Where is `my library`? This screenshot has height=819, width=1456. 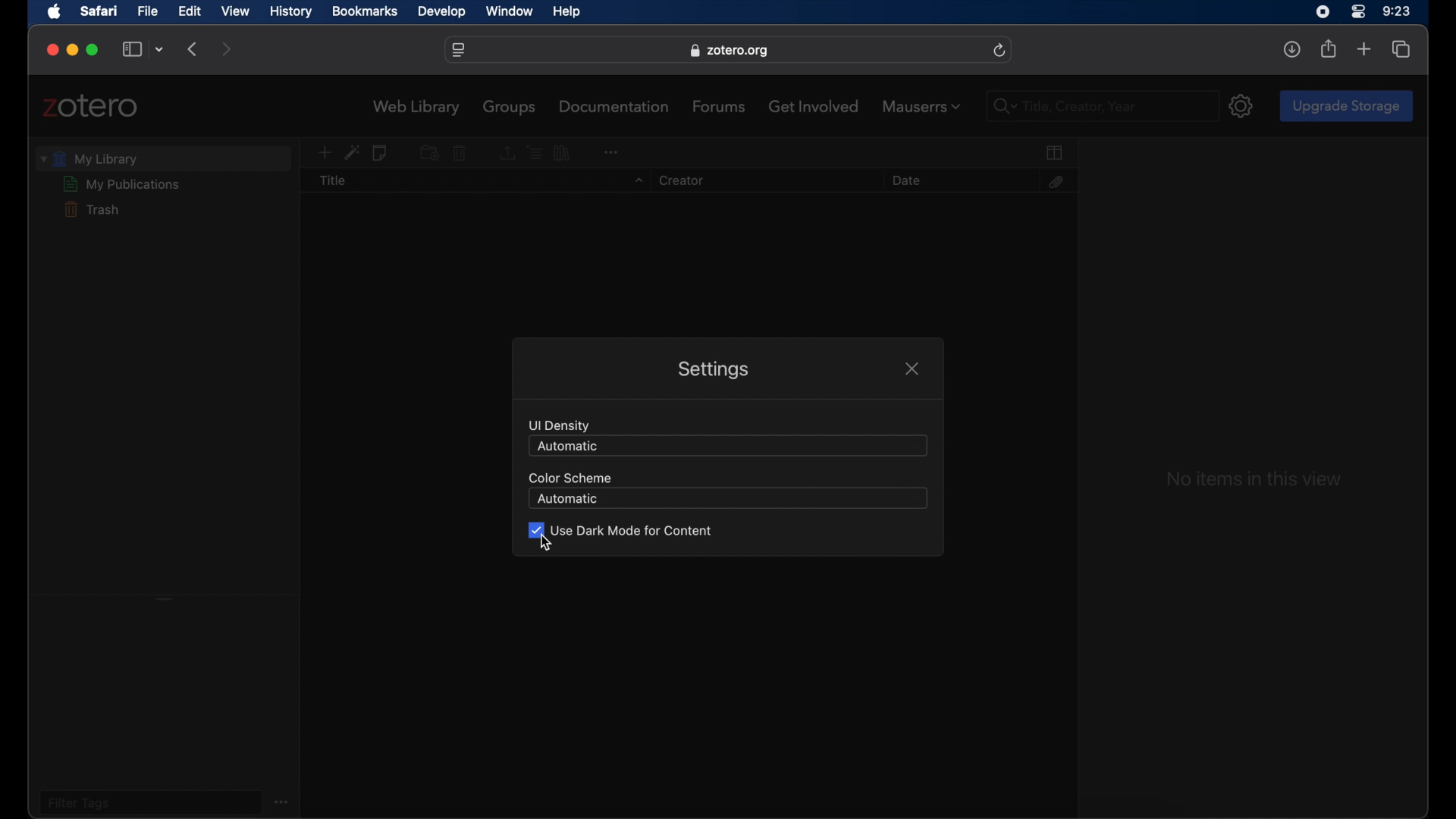
my library is located at coordinates (89, 158).